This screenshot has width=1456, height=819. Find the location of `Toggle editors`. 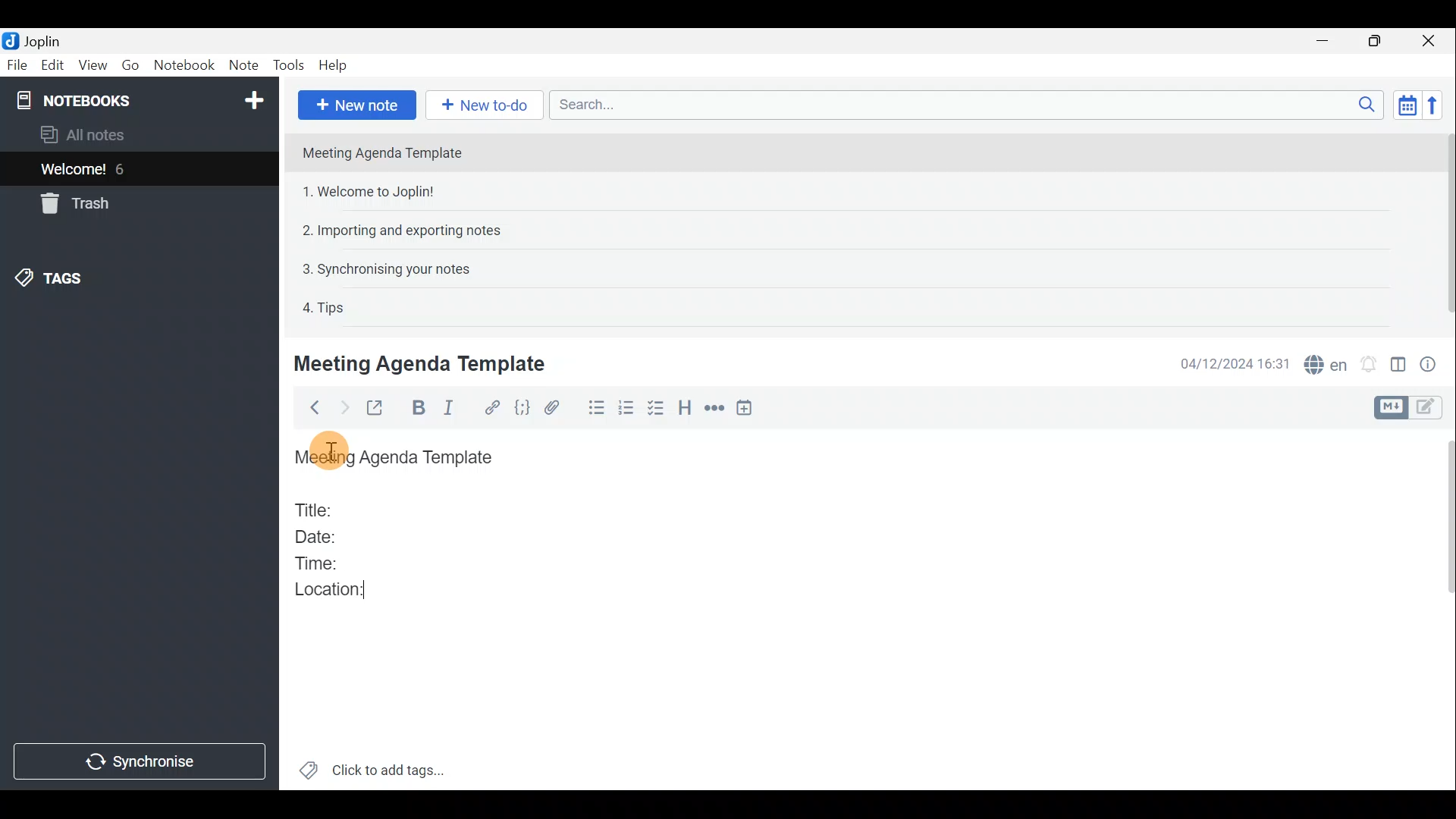

Toggle editors is located at coordinates (1429, 409).